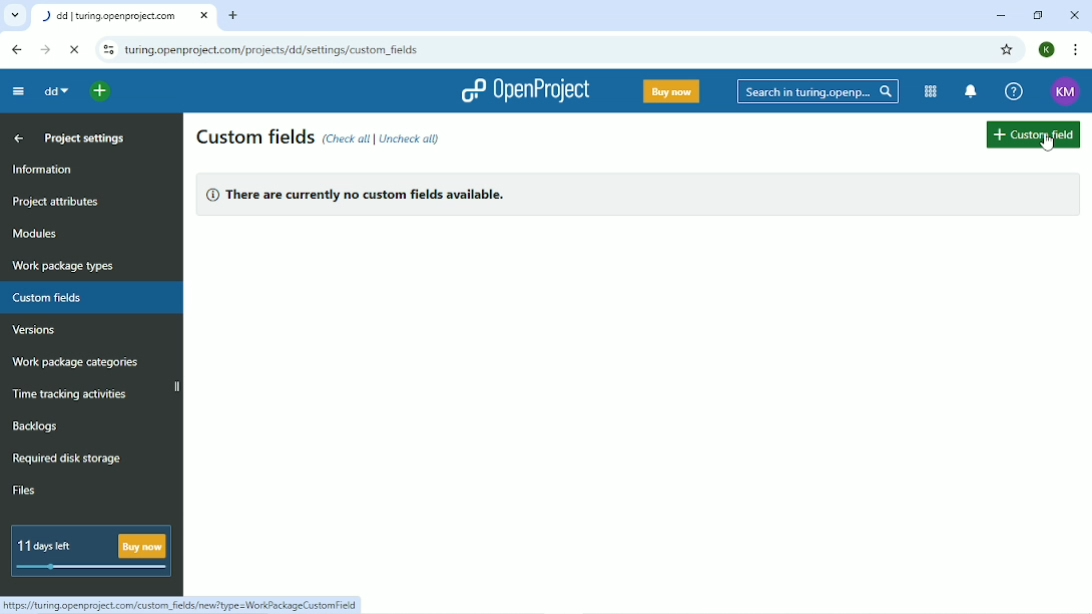  I want to click on All open | dd | turing.openproject.com, so click(125, 17).